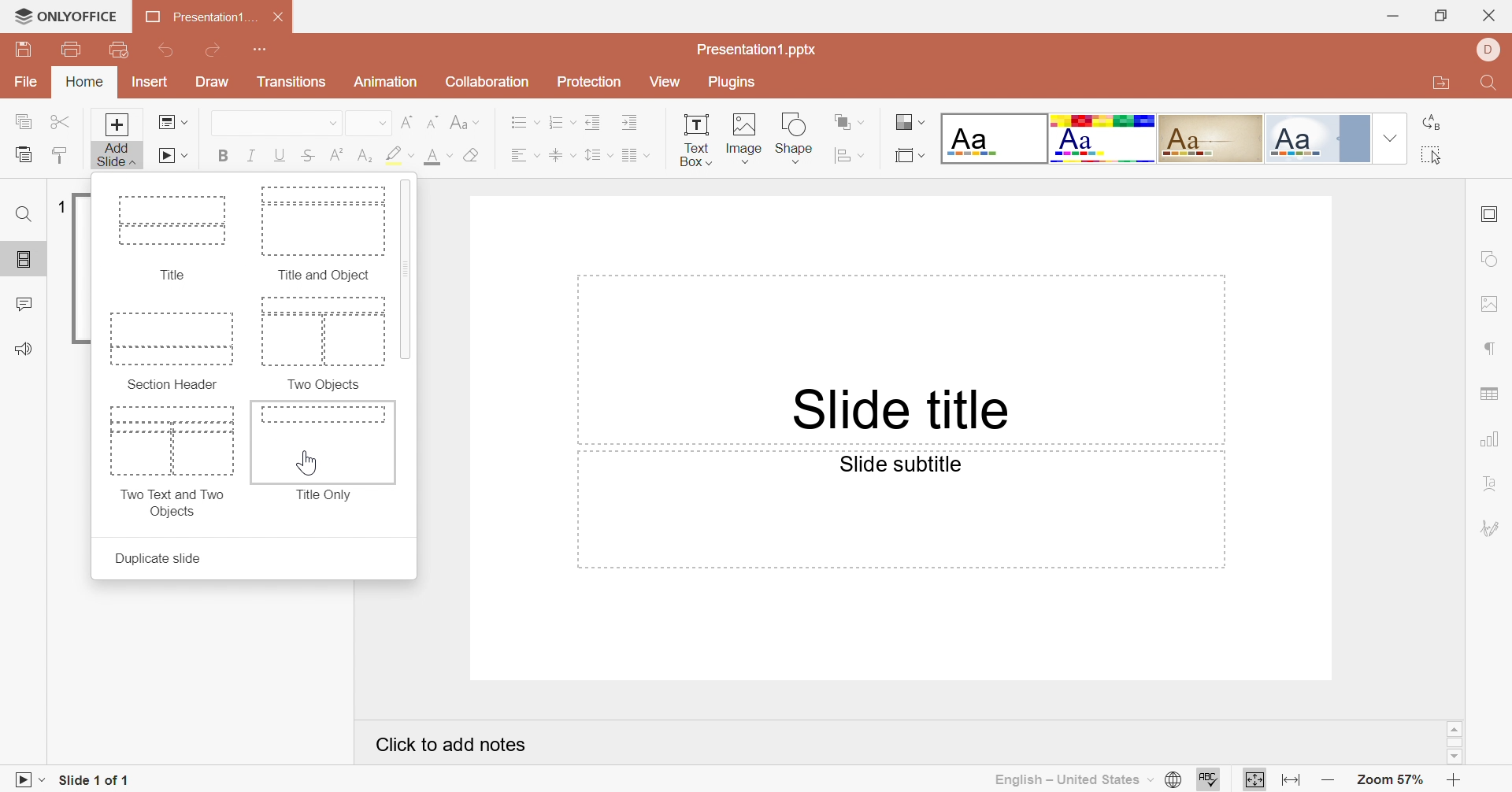 The height and width of the screenshot is (792, 1512). I want to click on English - United States, so click(1075, 780).